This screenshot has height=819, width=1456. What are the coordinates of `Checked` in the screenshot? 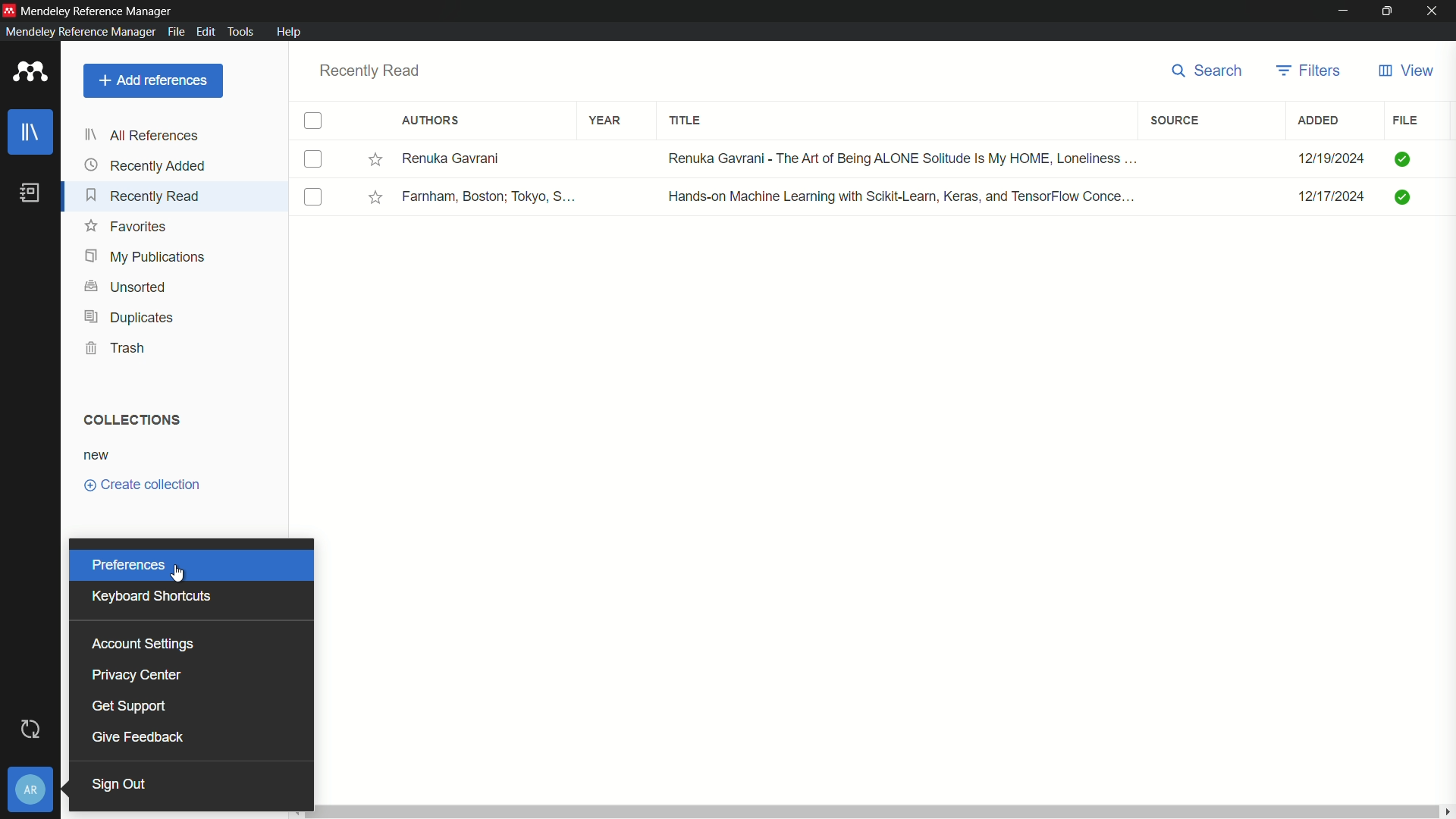 It's located at (1402, 195).